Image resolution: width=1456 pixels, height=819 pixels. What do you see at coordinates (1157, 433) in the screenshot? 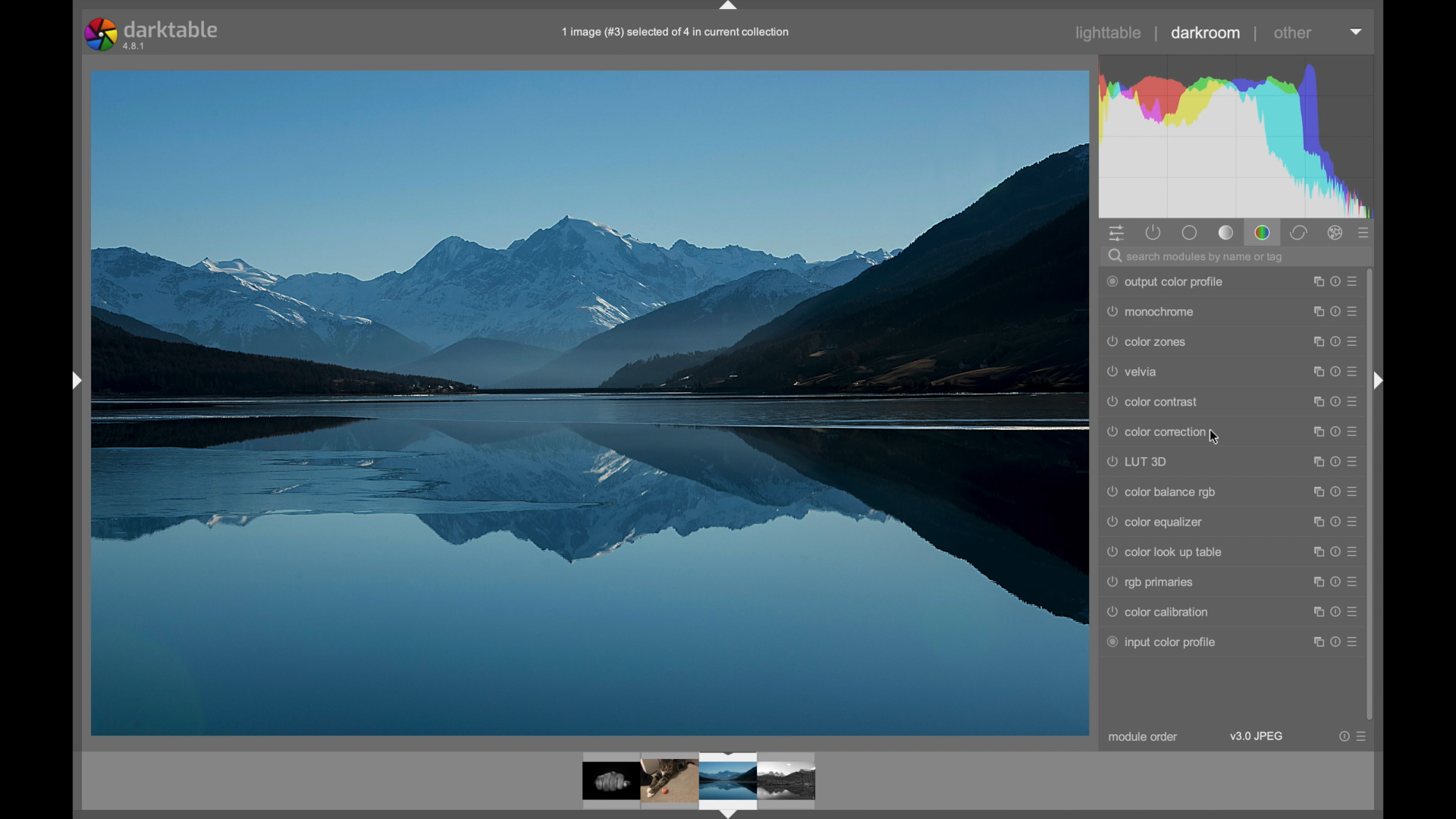
I see `color correction` at bounding box center [1157, 433].